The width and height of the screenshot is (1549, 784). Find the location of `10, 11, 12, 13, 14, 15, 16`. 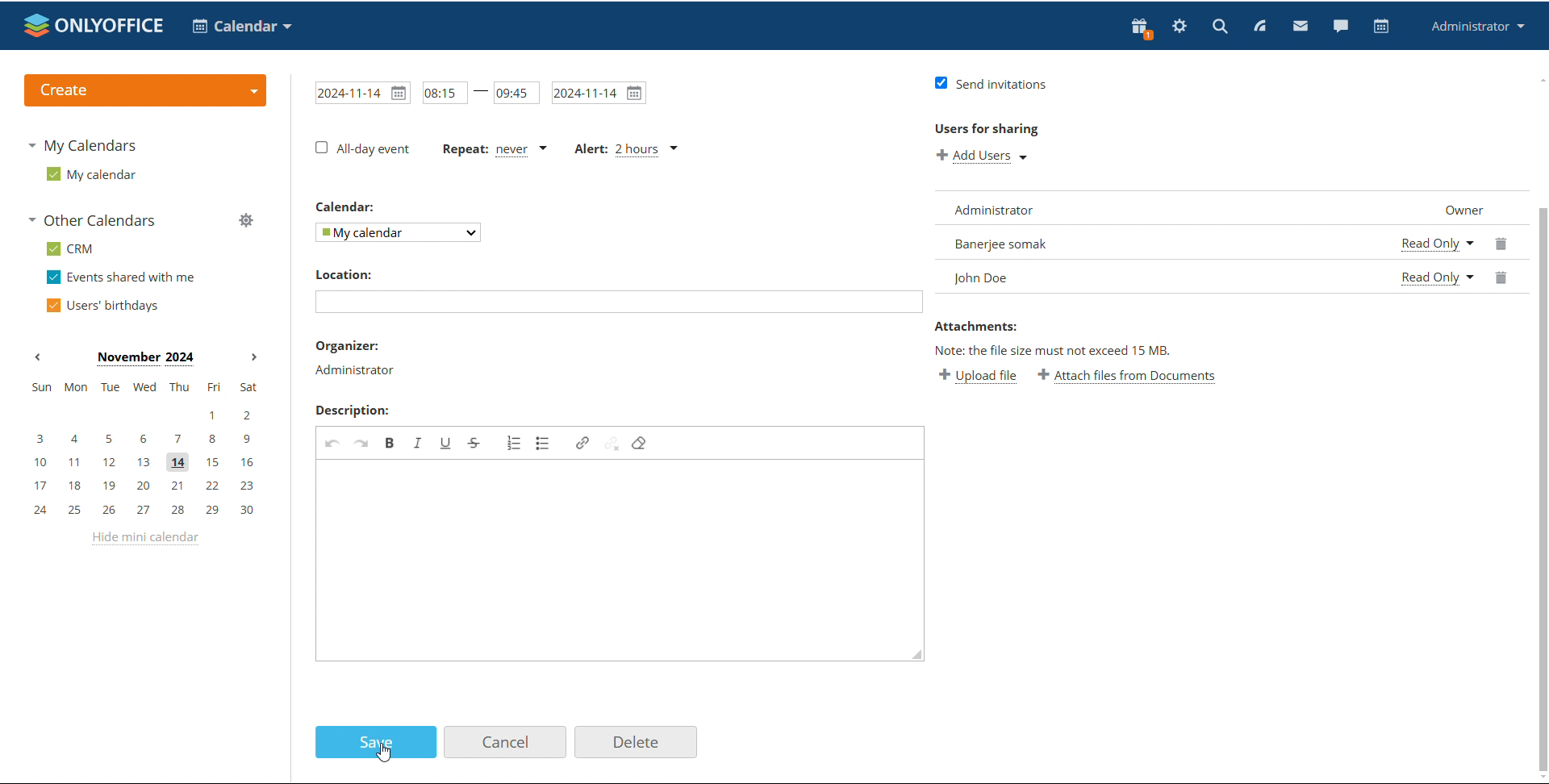

10, 11, 12, 13, 14, 15, 16 is located at coordinates (144, 463).